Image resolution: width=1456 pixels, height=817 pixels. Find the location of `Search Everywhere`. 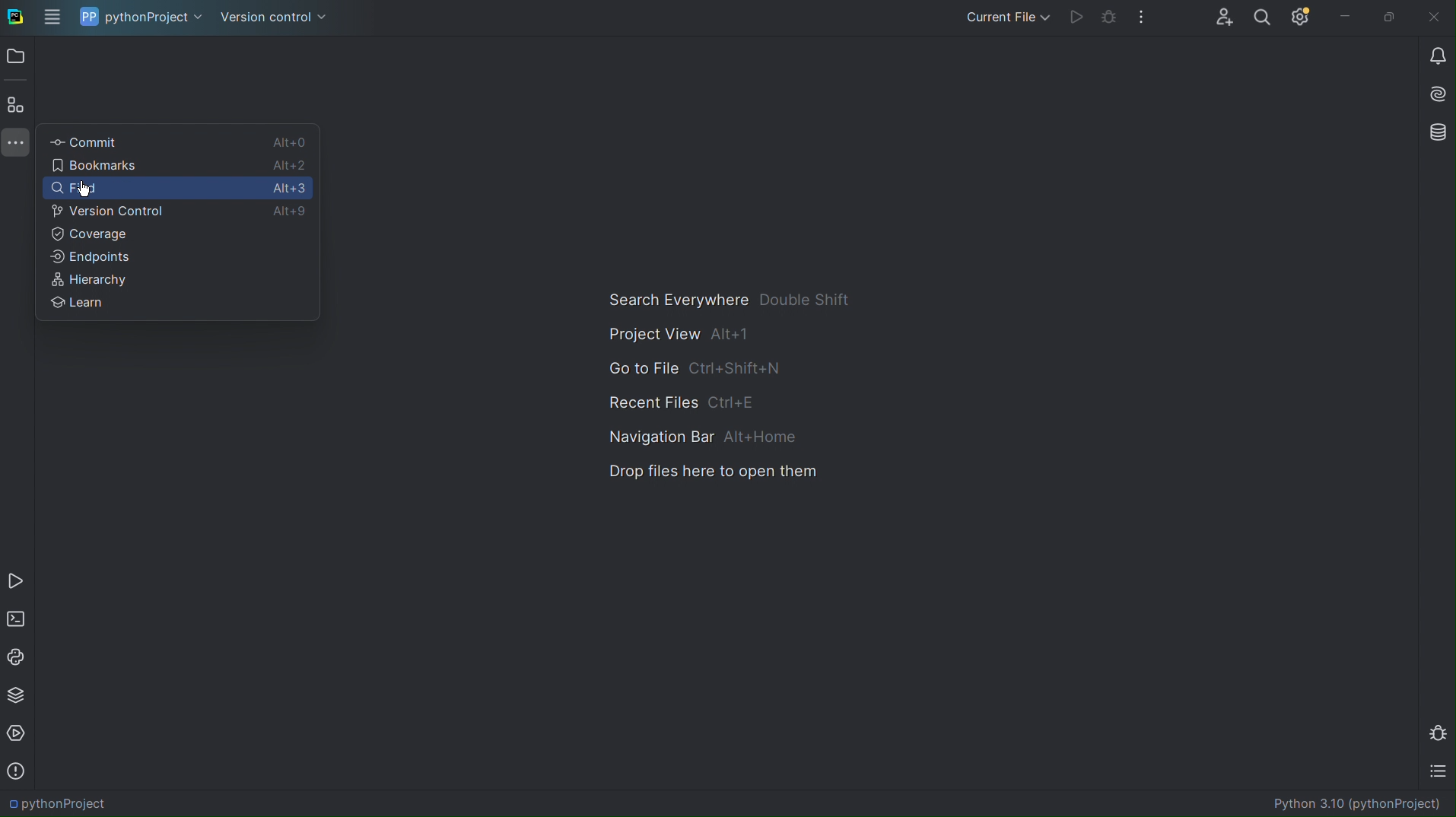

Search Everywhere is located at coordinates (727, 296).